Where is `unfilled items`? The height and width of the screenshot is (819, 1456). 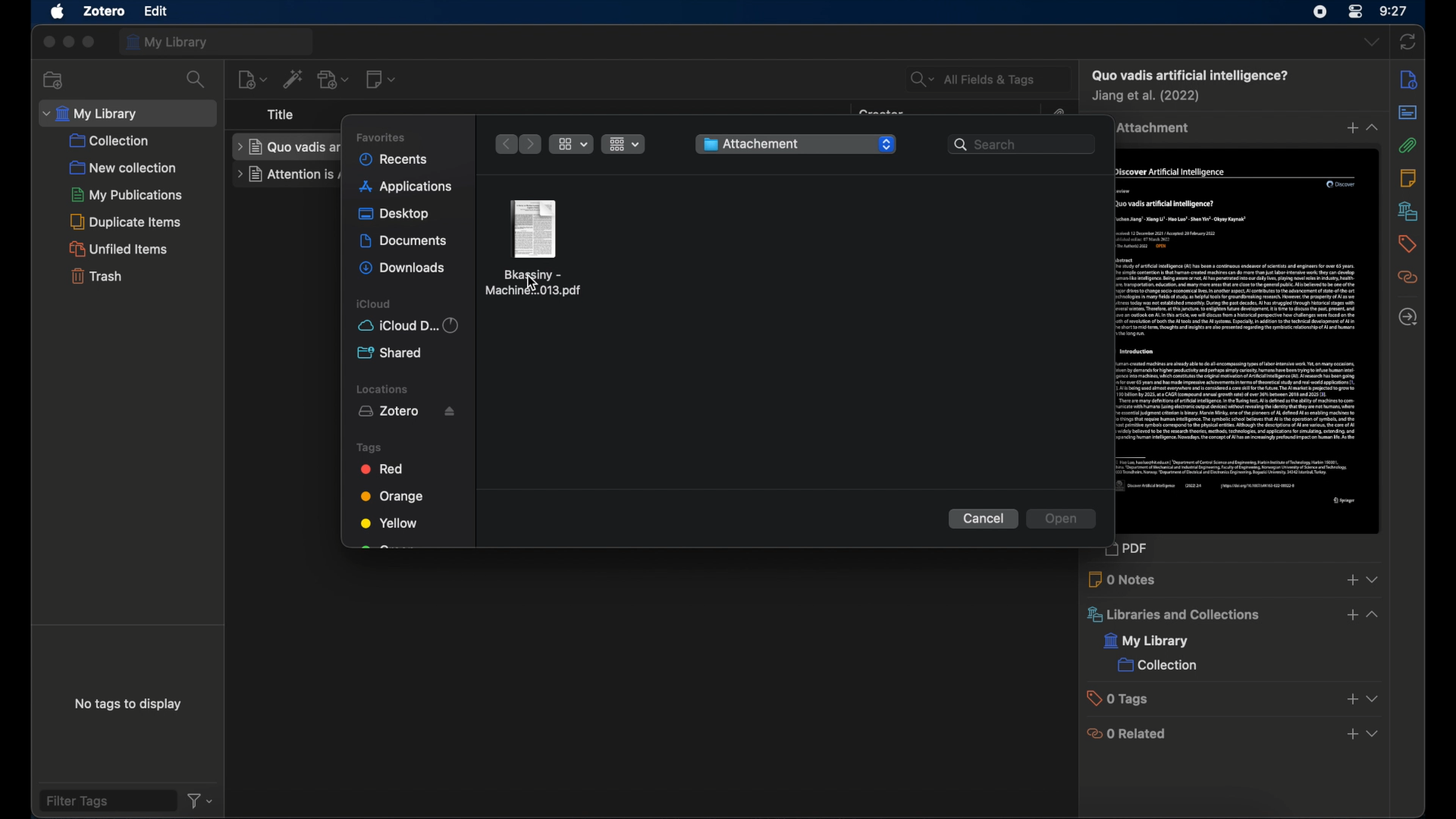
unfilled items is located at coordinates (121, 249).